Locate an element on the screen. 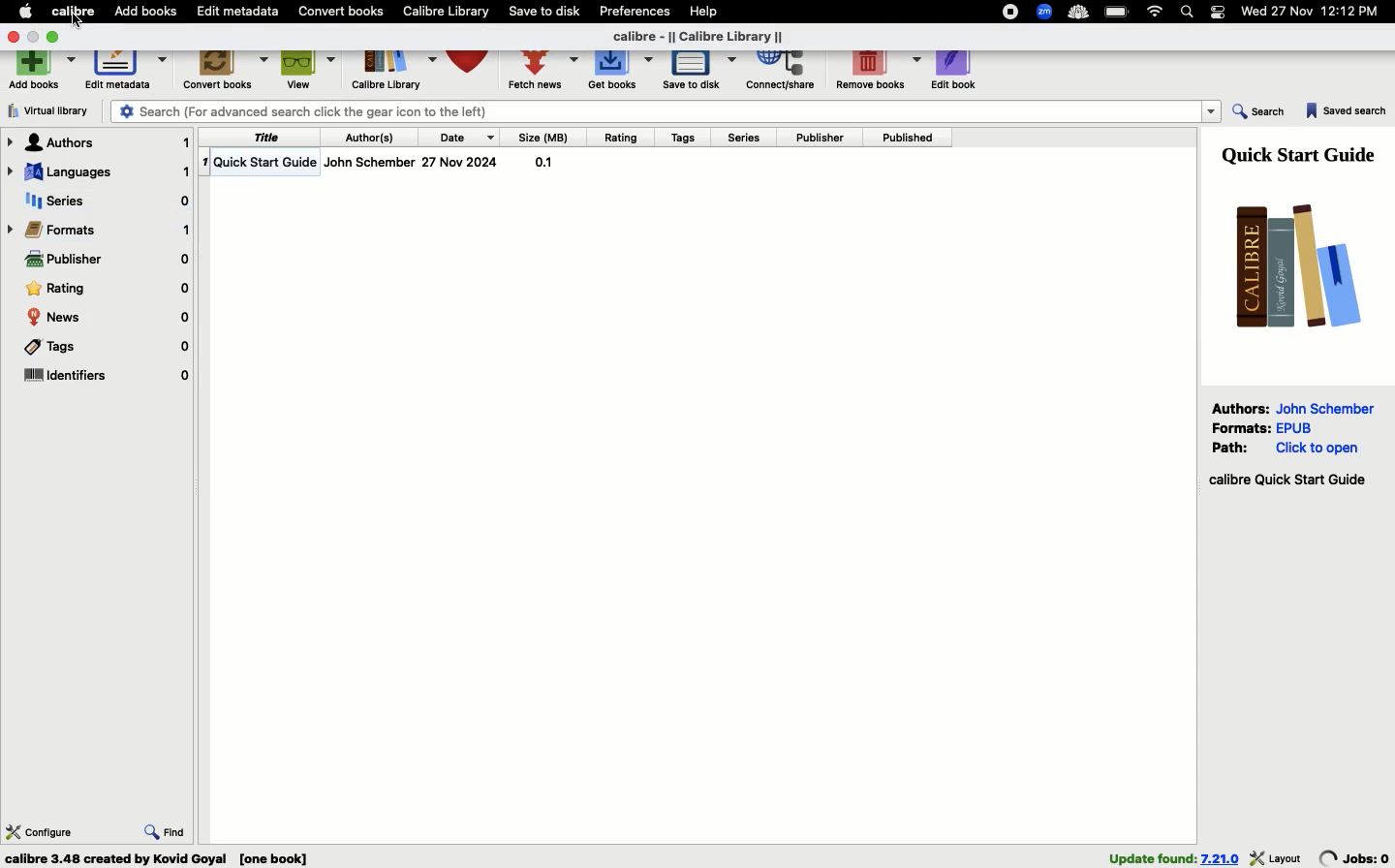  Maximize is located at coordinates (55, 38).